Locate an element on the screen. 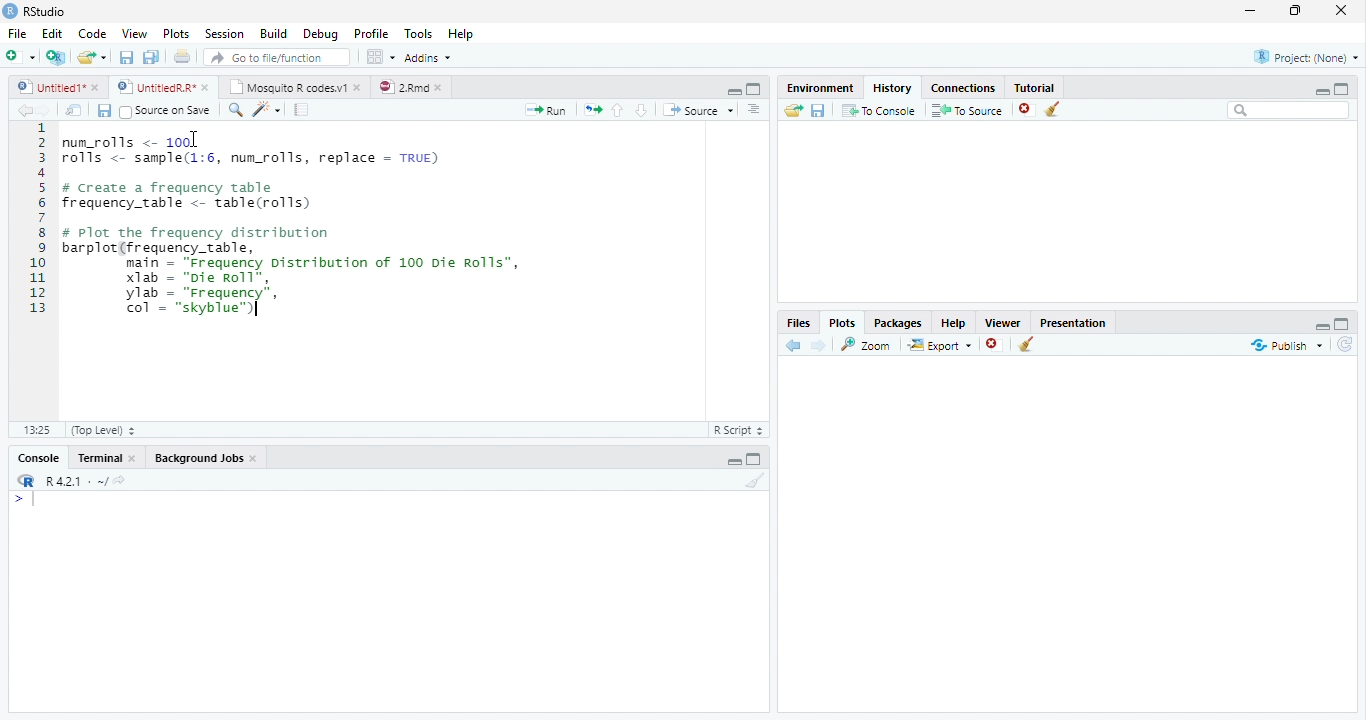 This screenshot has height=720, width=1366. Find/Replace is located at coordinates (233, 110).